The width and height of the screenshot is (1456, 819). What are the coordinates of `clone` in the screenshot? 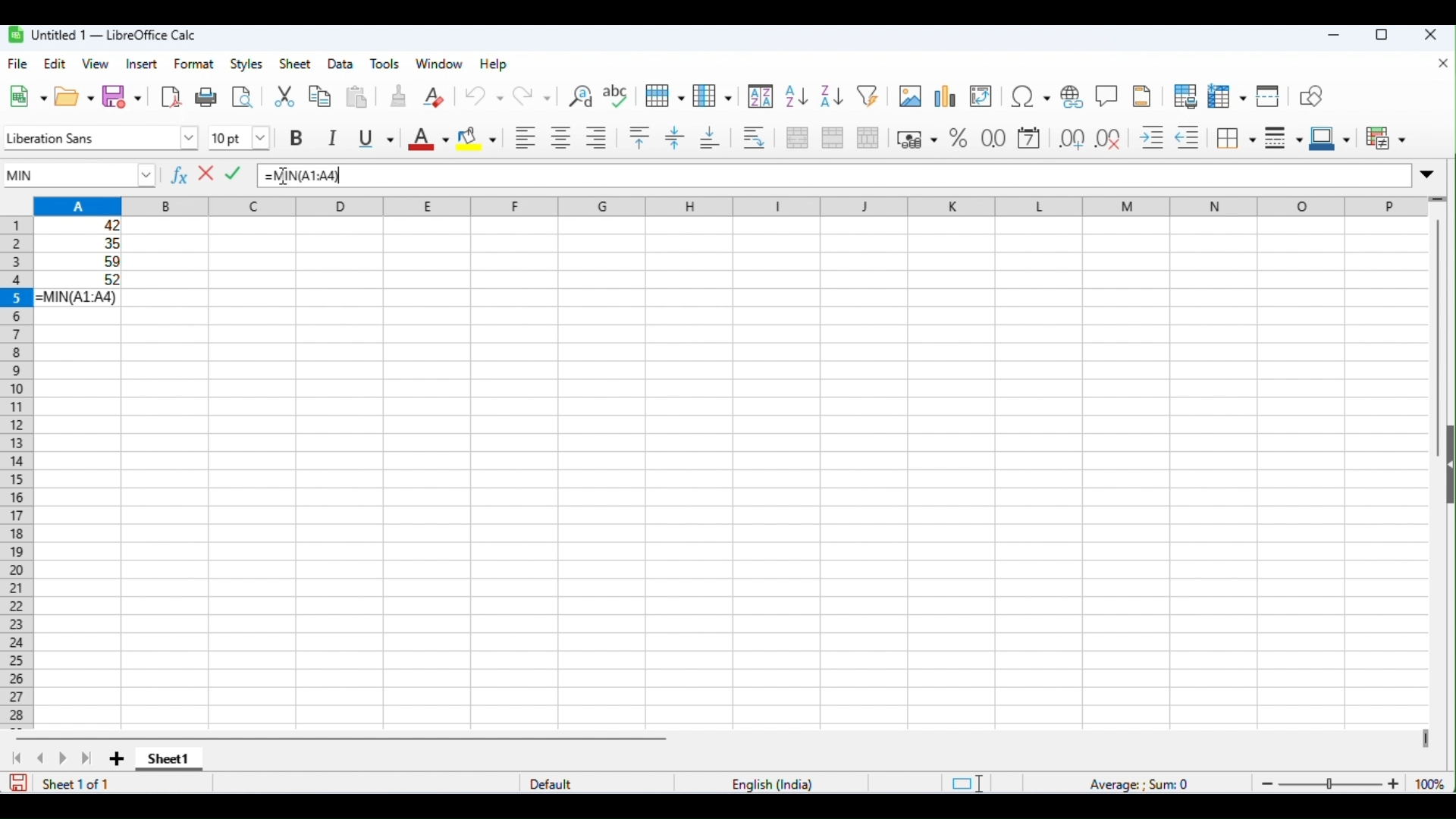 It's located at (399, 96).